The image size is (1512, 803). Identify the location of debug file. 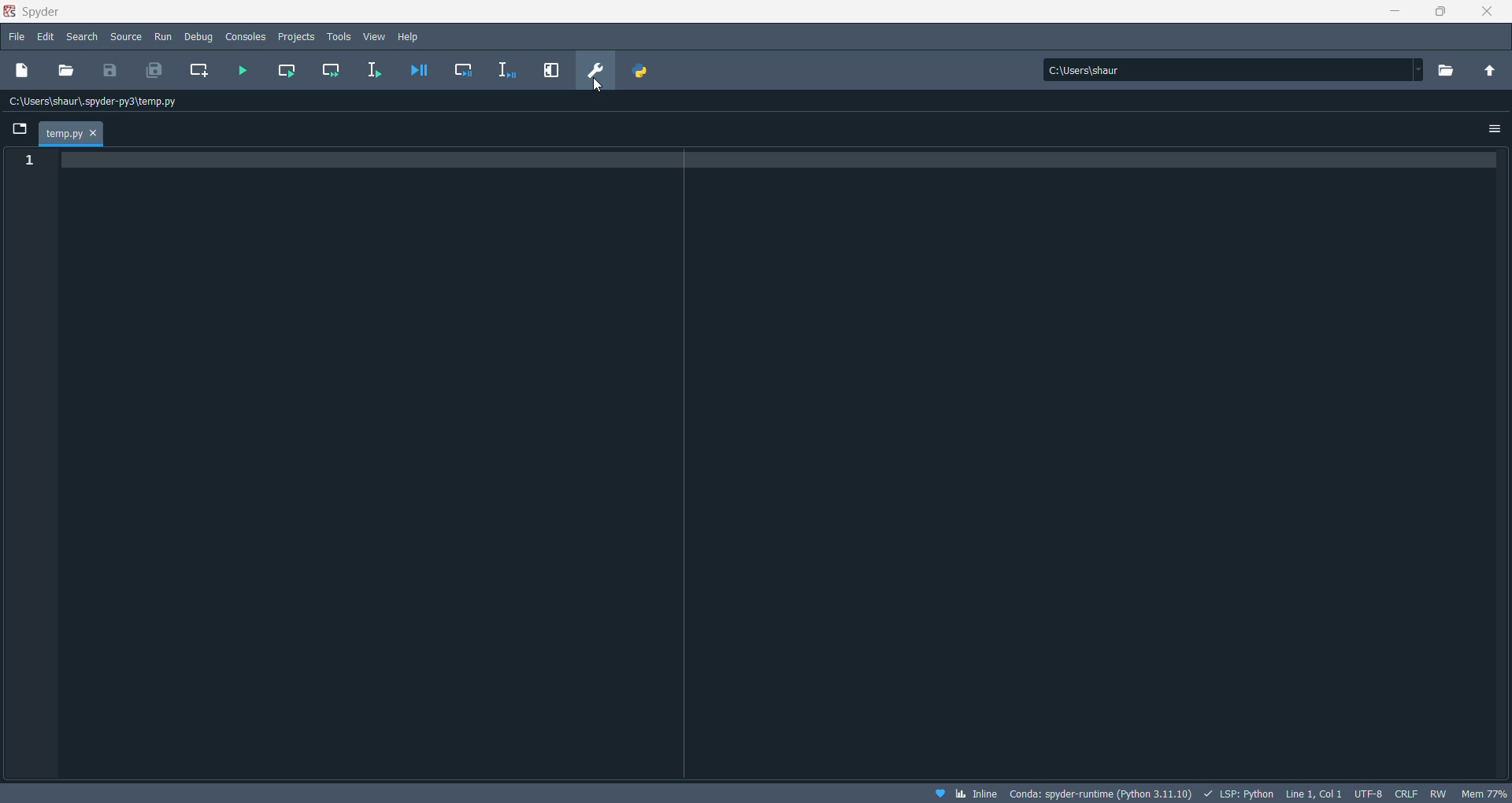
(417, 69).